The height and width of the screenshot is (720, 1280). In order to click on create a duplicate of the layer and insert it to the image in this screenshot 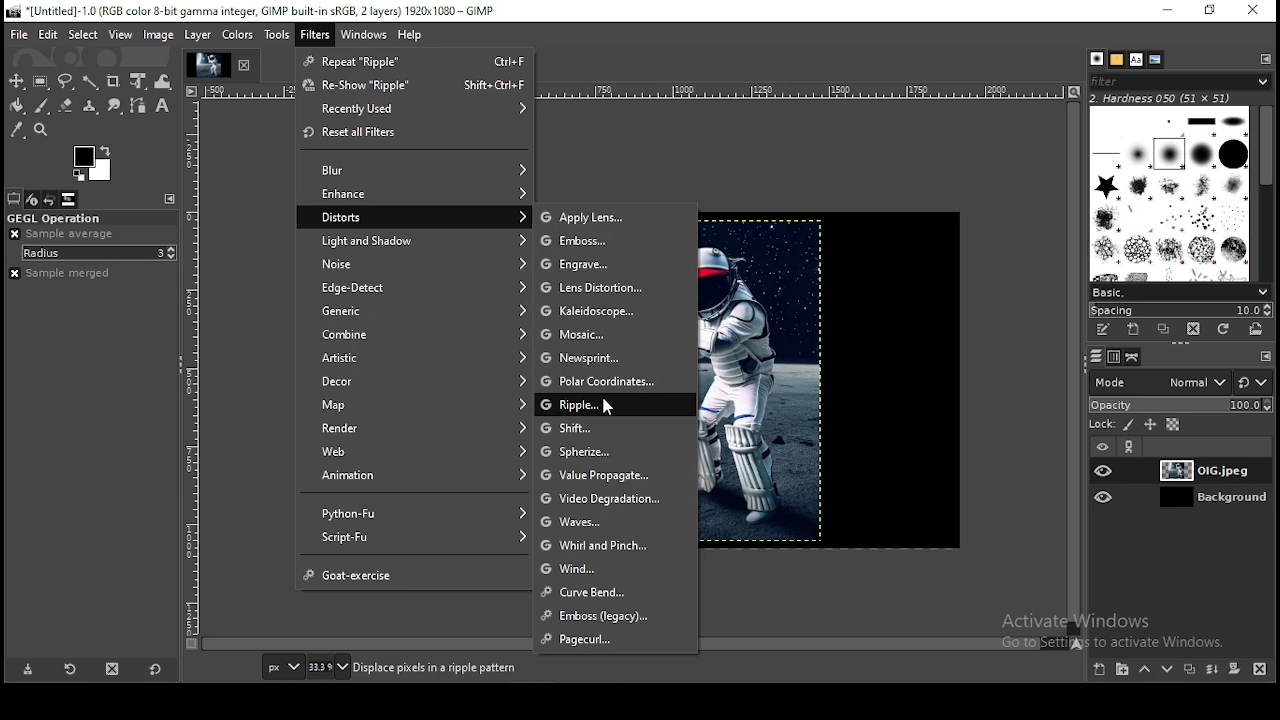, I will do `click(1192, 668)`.